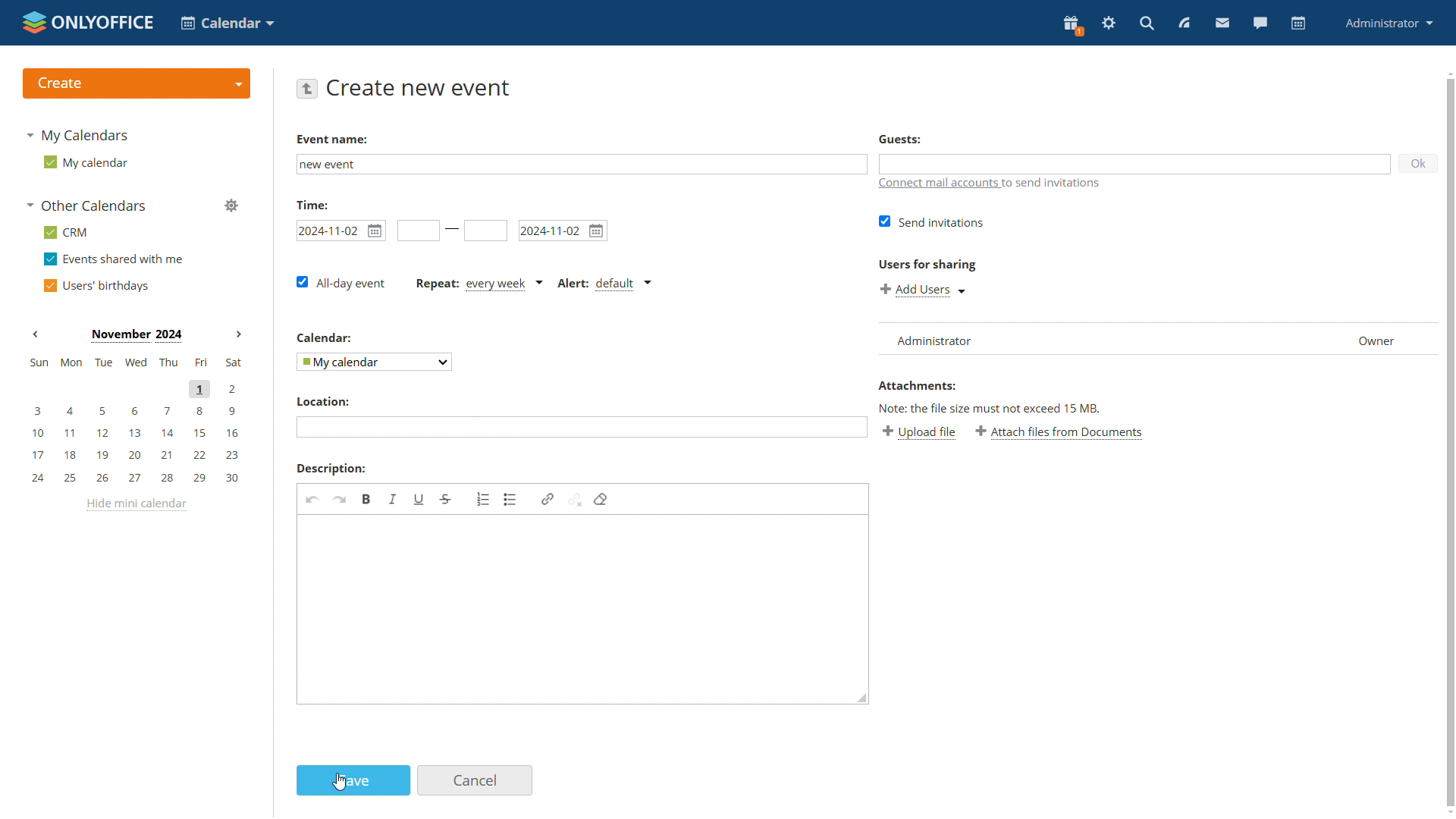 The image size is (1456, 819). I want to click on users' birthdays, so click(96, 284).